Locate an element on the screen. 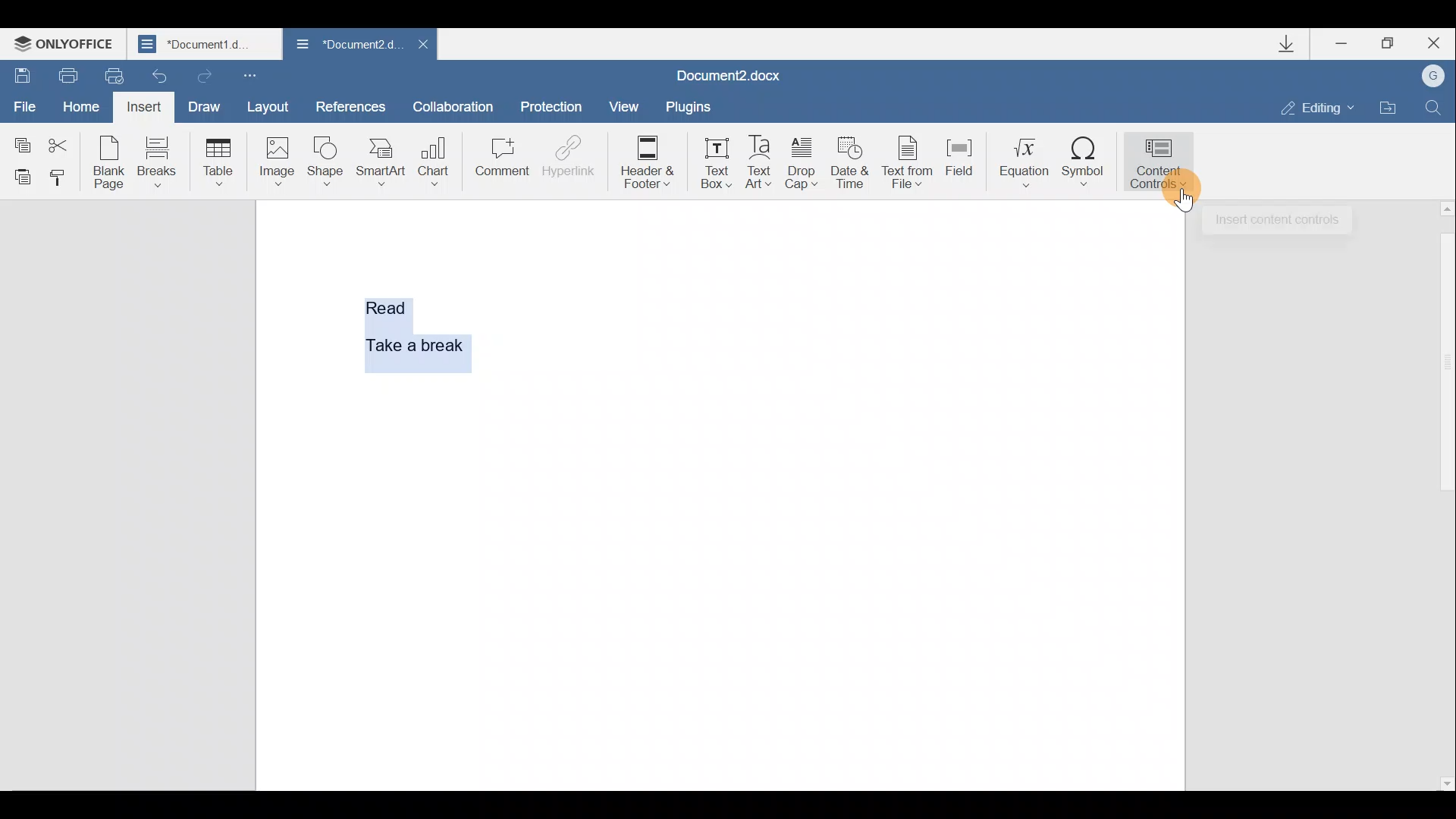 The width and height of the screenshot is (1456, 819). Comment is located at coordinates (501, 159).